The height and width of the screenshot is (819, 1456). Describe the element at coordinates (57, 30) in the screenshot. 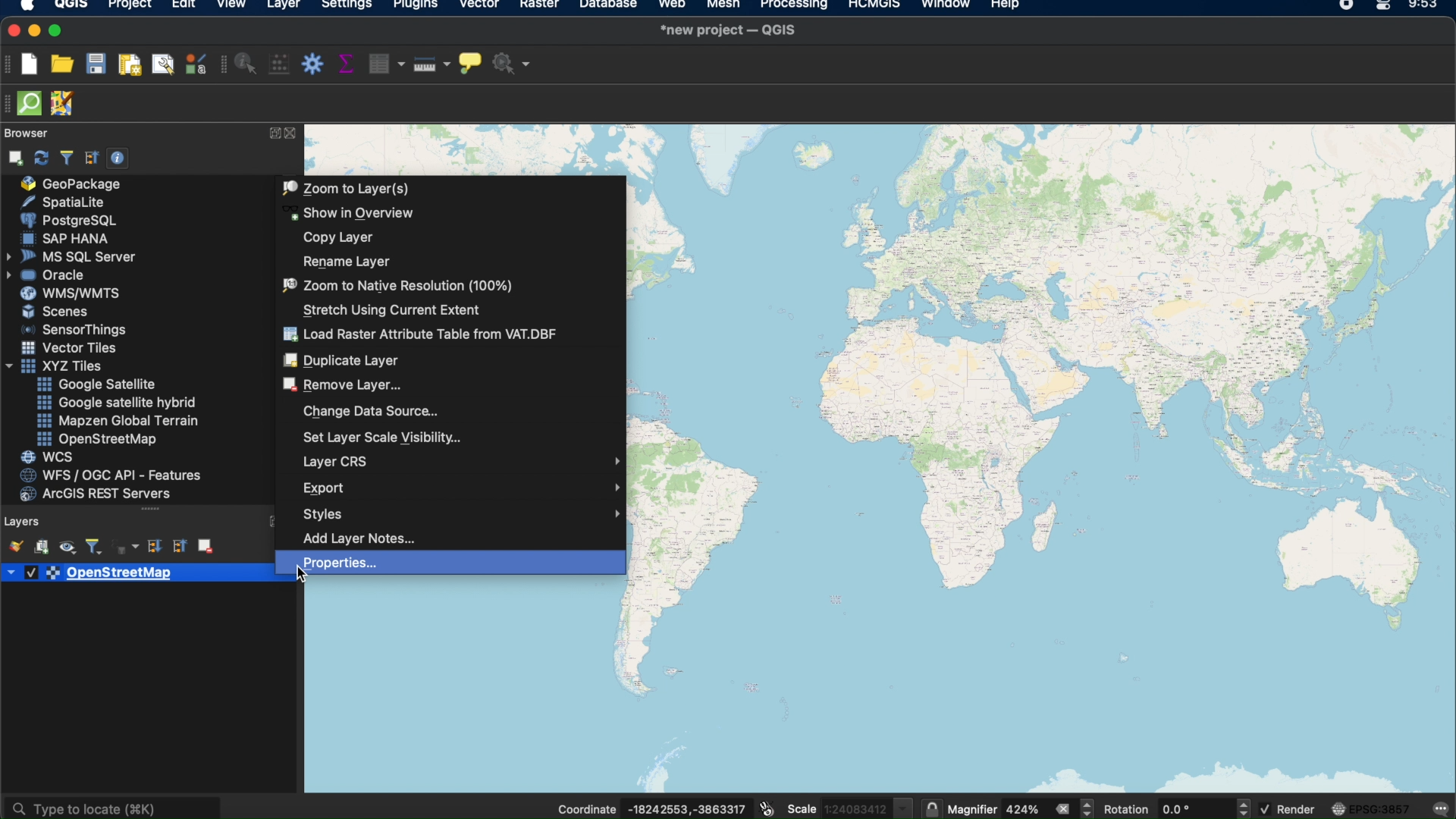

I see `maximize` at that location.